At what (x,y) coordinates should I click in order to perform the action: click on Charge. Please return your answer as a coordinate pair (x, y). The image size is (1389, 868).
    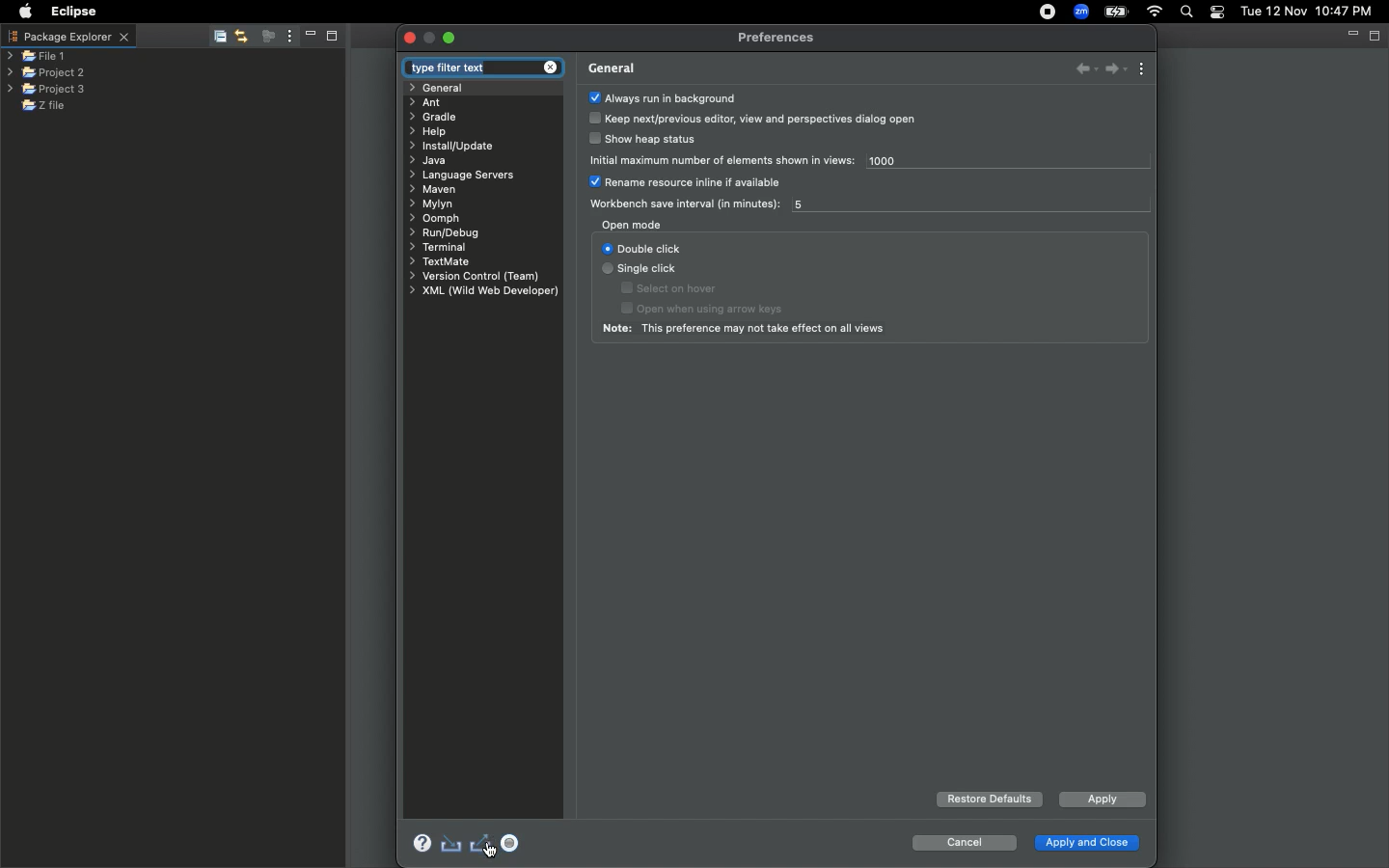
    Looking at the image, I should click on (1119, 11).